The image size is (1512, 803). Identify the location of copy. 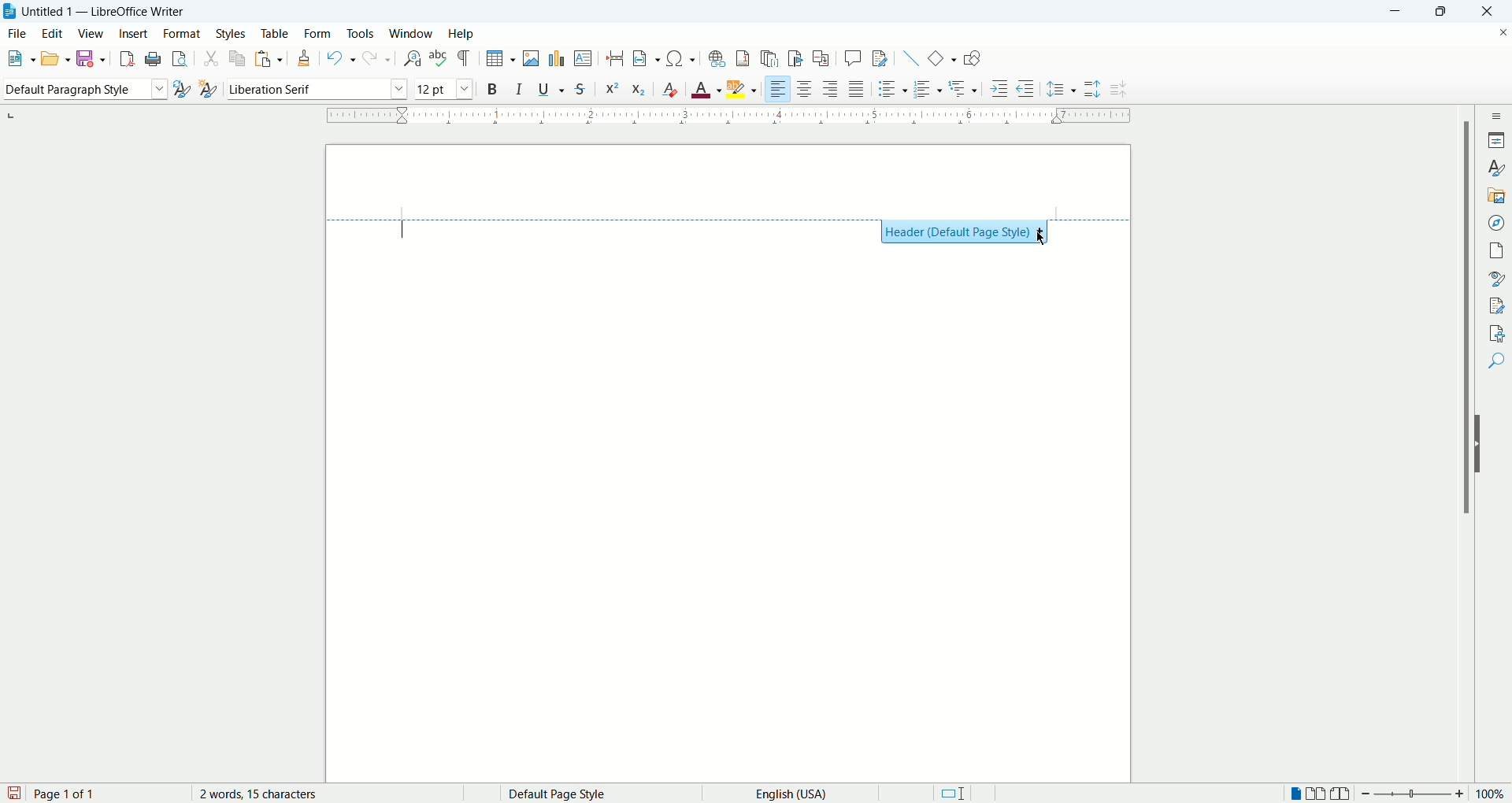
(237, 59).